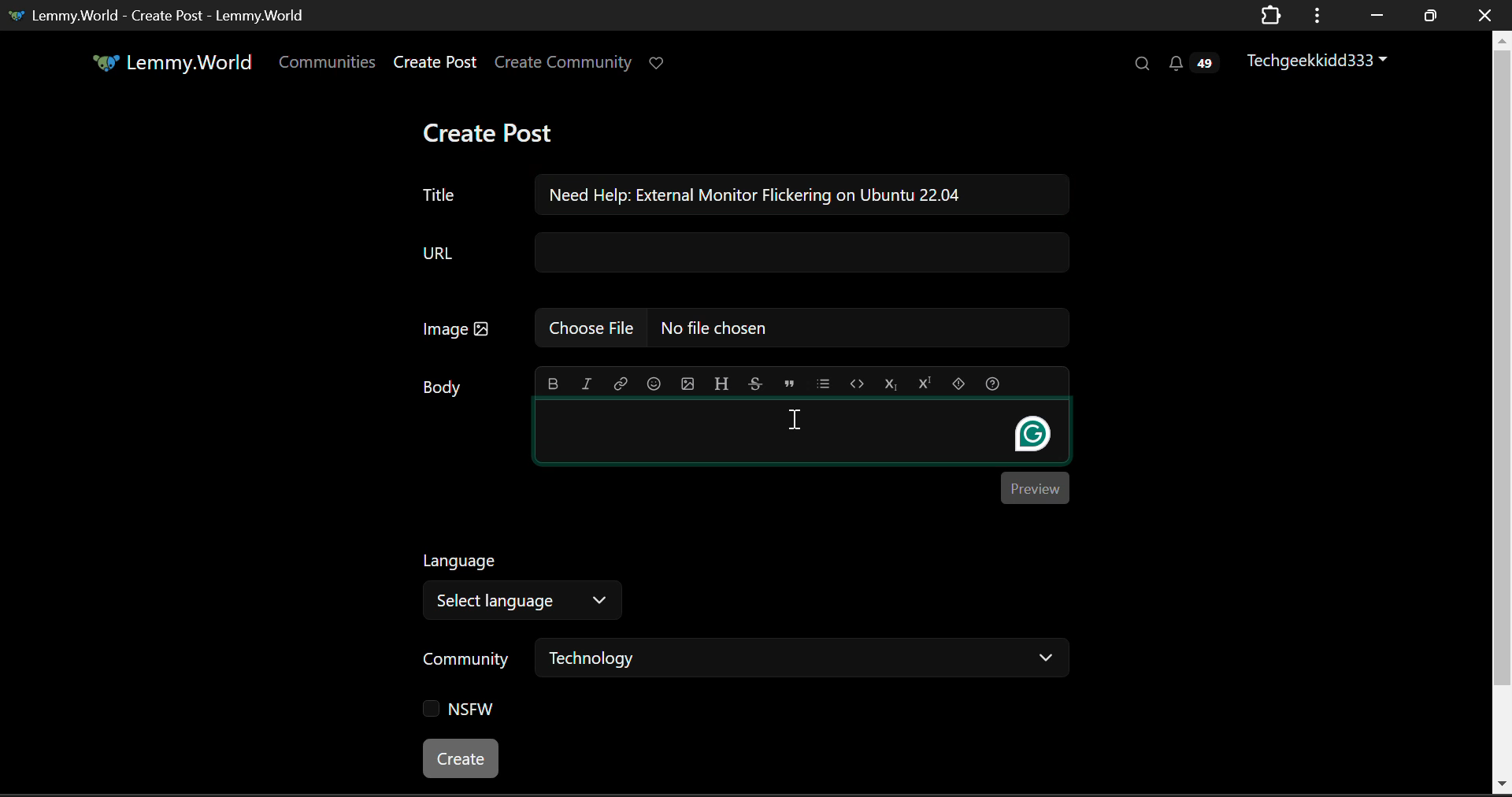 Image resolution: width=1512 pixels, height=797 pixels. What do you see at coordinates (823, 384) in the screenshot?
I see `List` at bounding box center [823, 384].